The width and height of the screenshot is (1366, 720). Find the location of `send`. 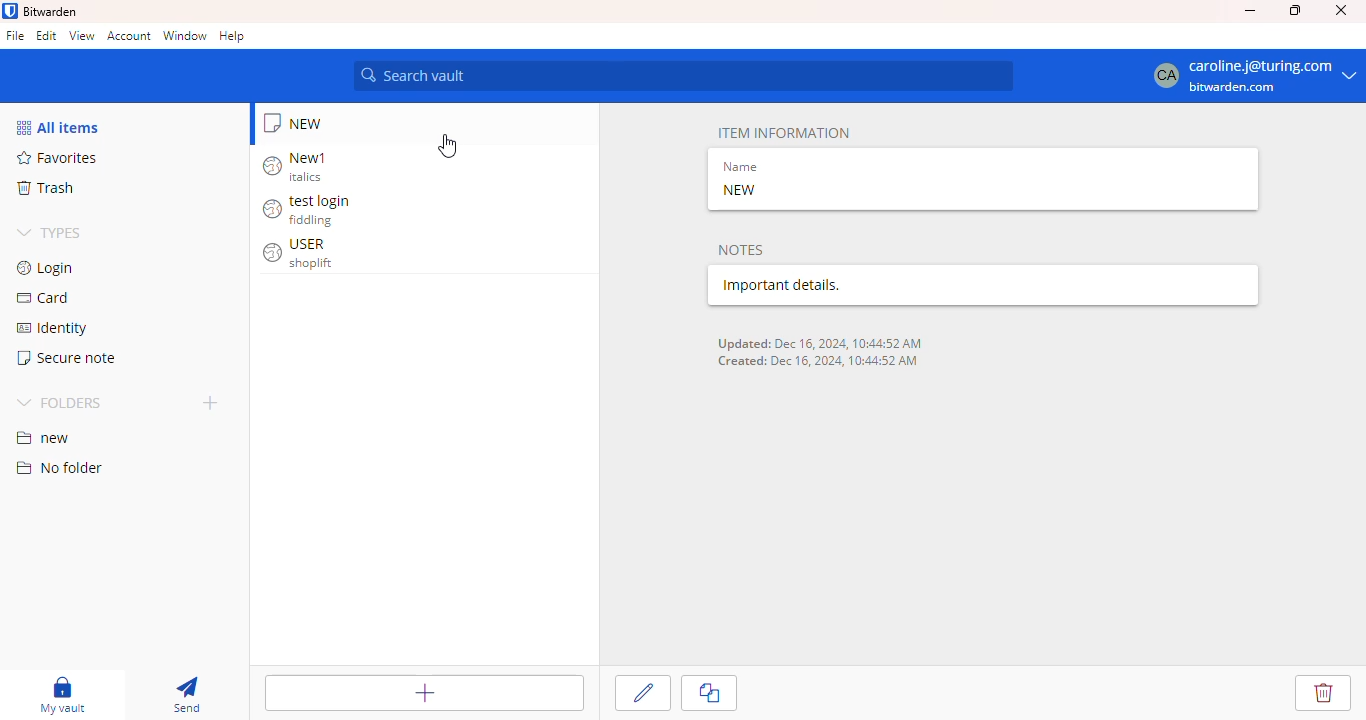

send is located at coordinates (188, 695).